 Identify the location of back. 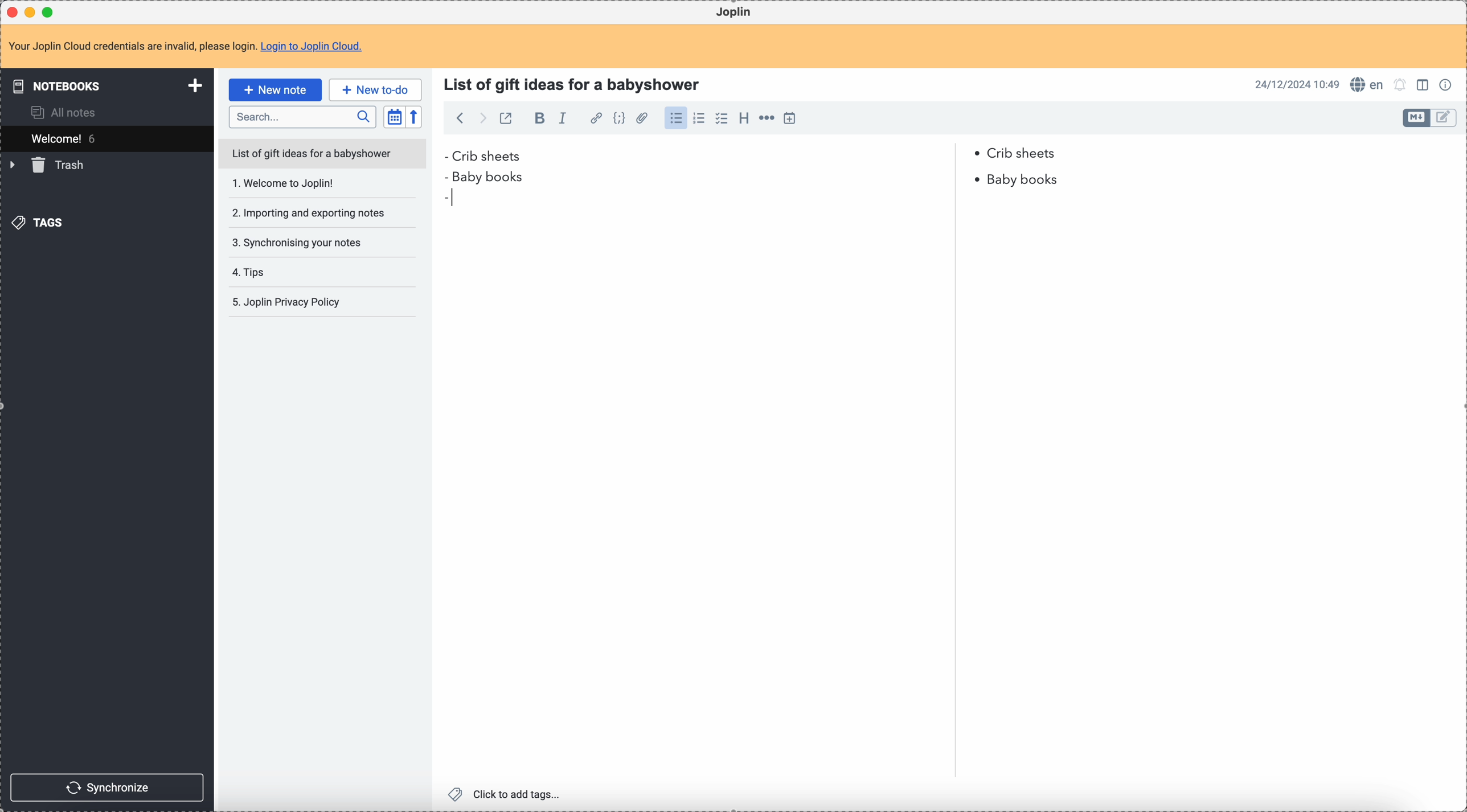
(461, 118).